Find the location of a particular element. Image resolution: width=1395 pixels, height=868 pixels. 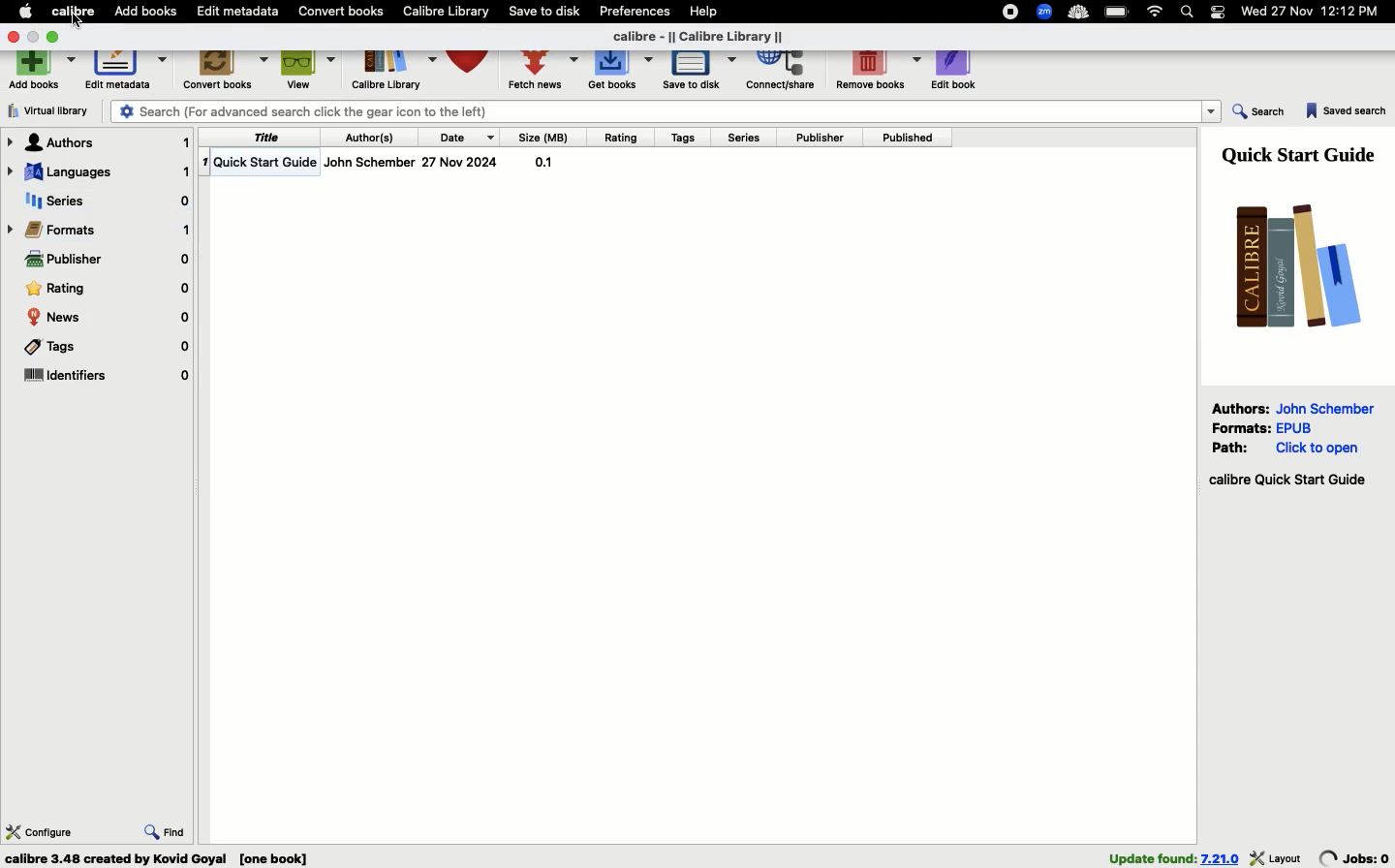

Tags is located at coordinates (105, 350).